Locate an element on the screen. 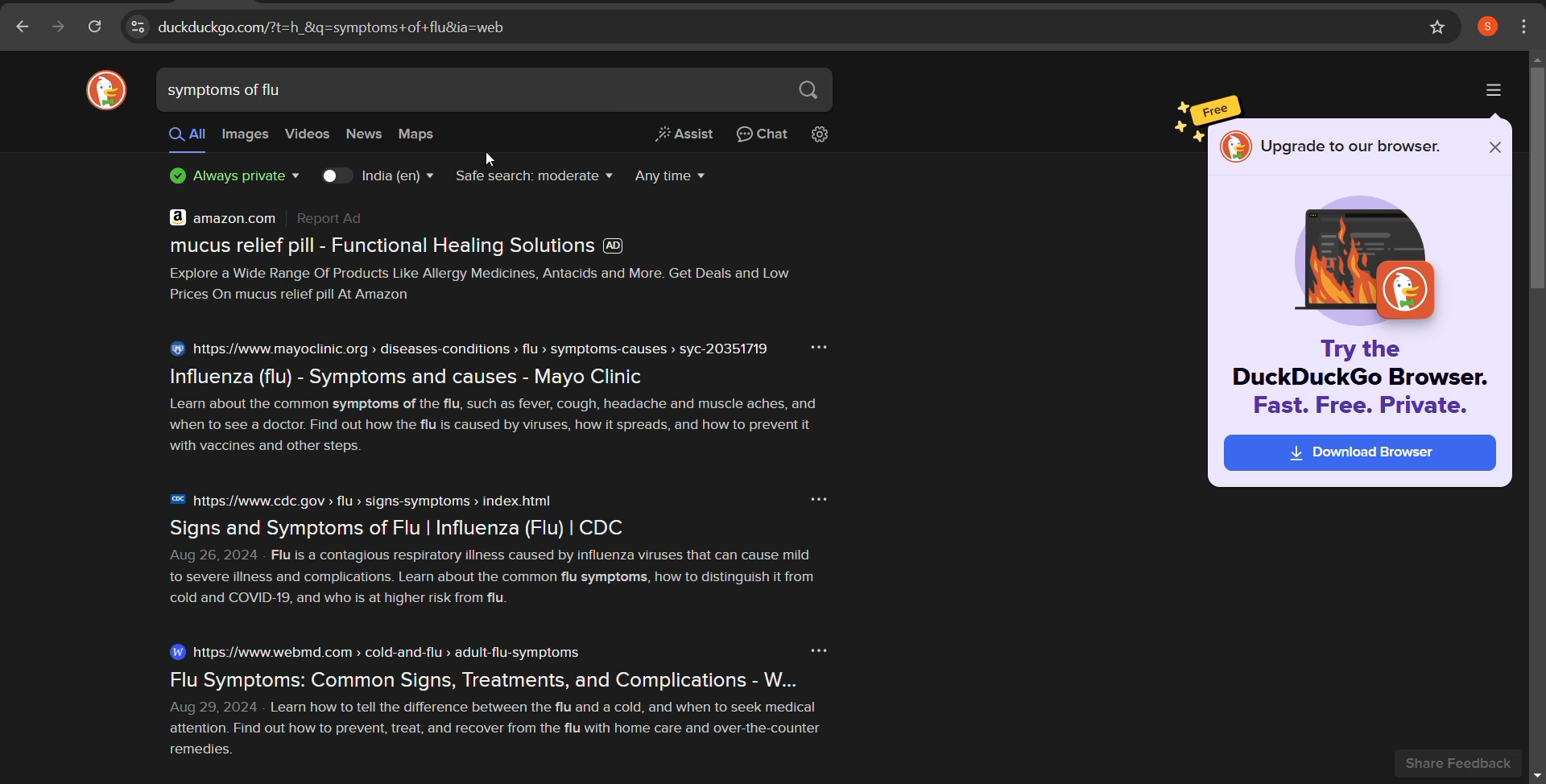  Learn about the common symptoms of the flu, such as fever, cough, headache and muscle aches, and
when to see a doctor. Find out how the flu is caused by viruses, how it spreads, and how to prevent it
with vaccines and other steps. is located at coordinates (504, 427).